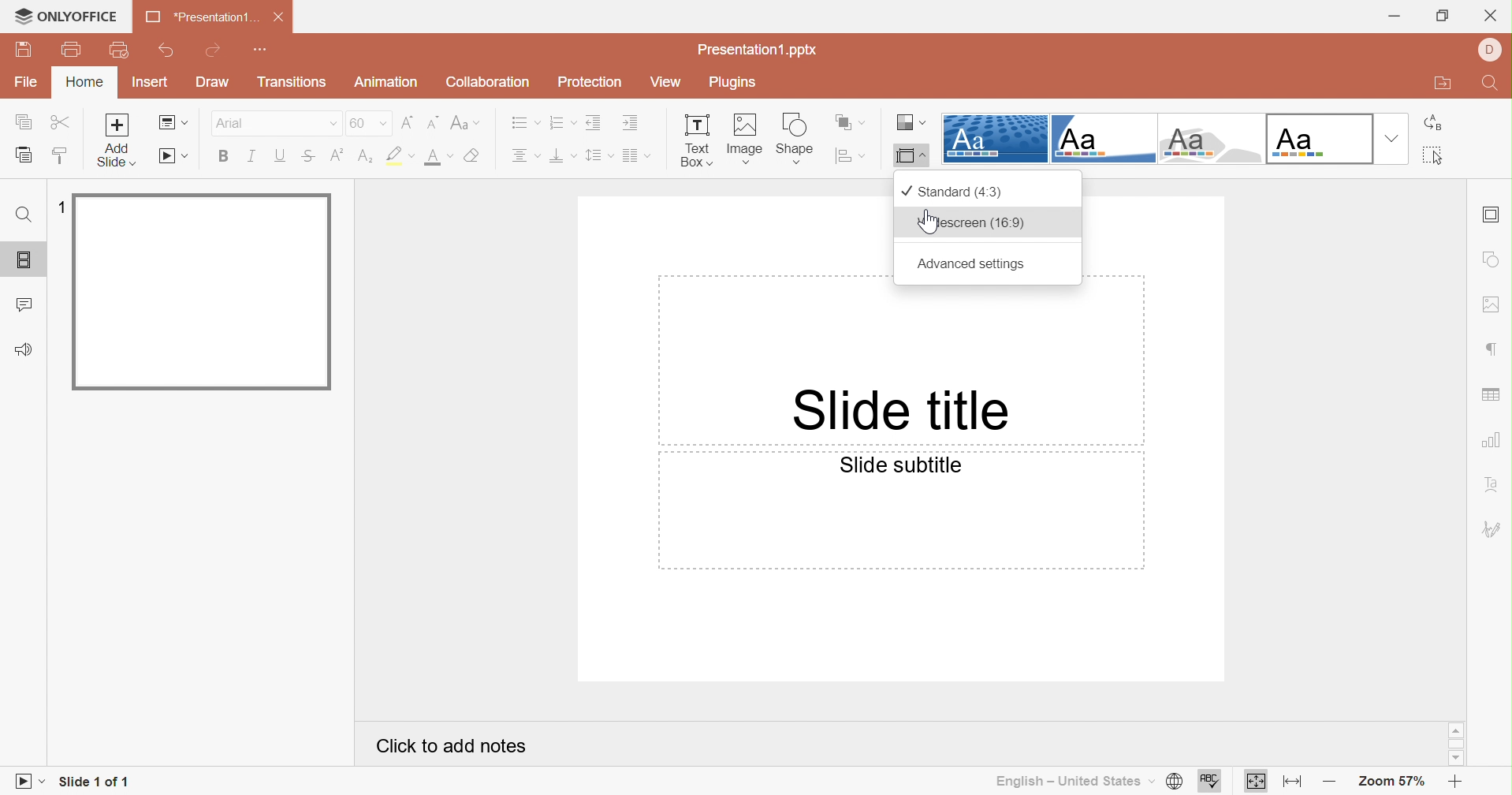 Image resolution: width=1512 pixels, height=795 pixels. What do you see at coordinates (1490, 17) in the screenshot?
I see `Close` at bounding box center [1490, 17].